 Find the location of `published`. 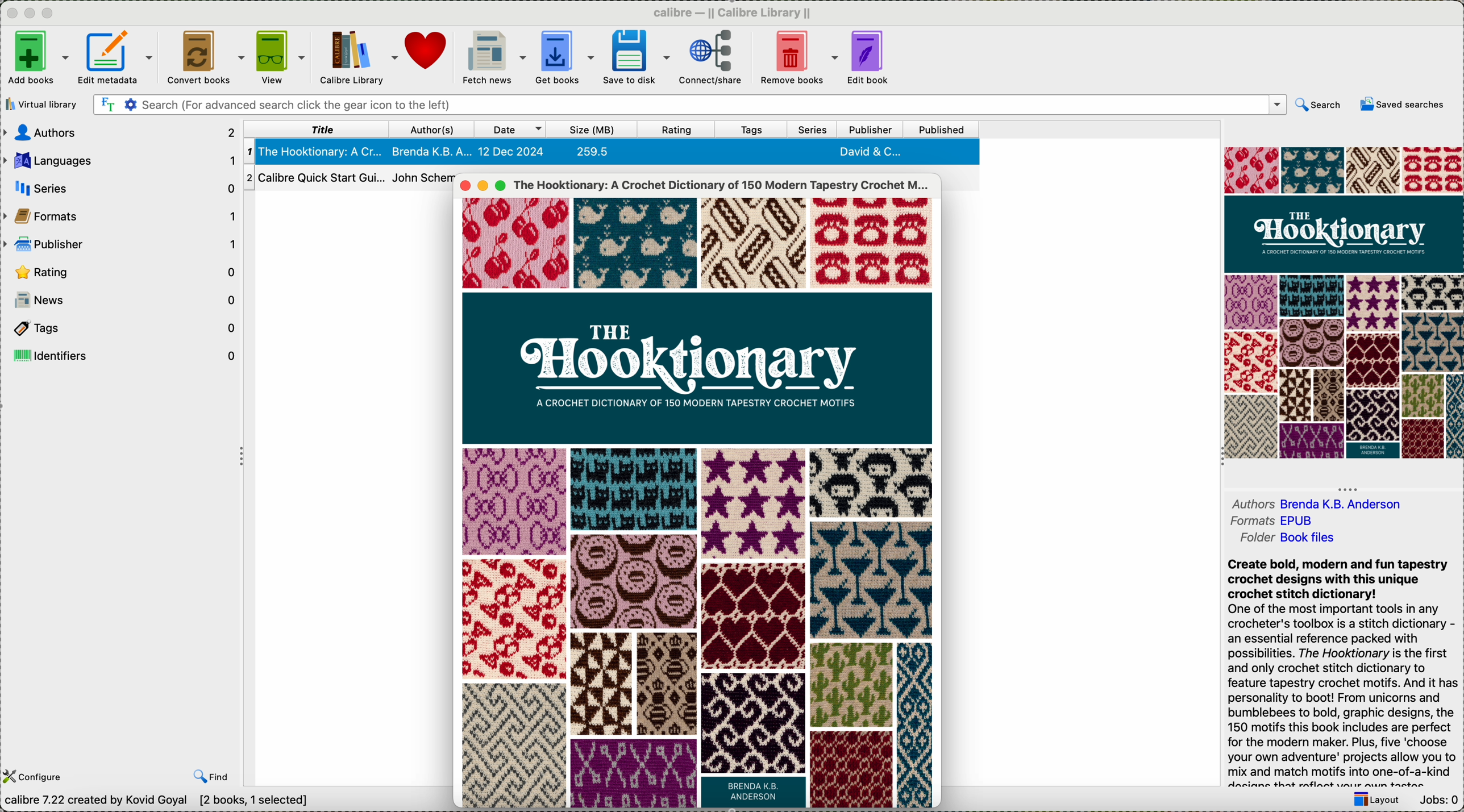

published is located at coordinates (942, 129).